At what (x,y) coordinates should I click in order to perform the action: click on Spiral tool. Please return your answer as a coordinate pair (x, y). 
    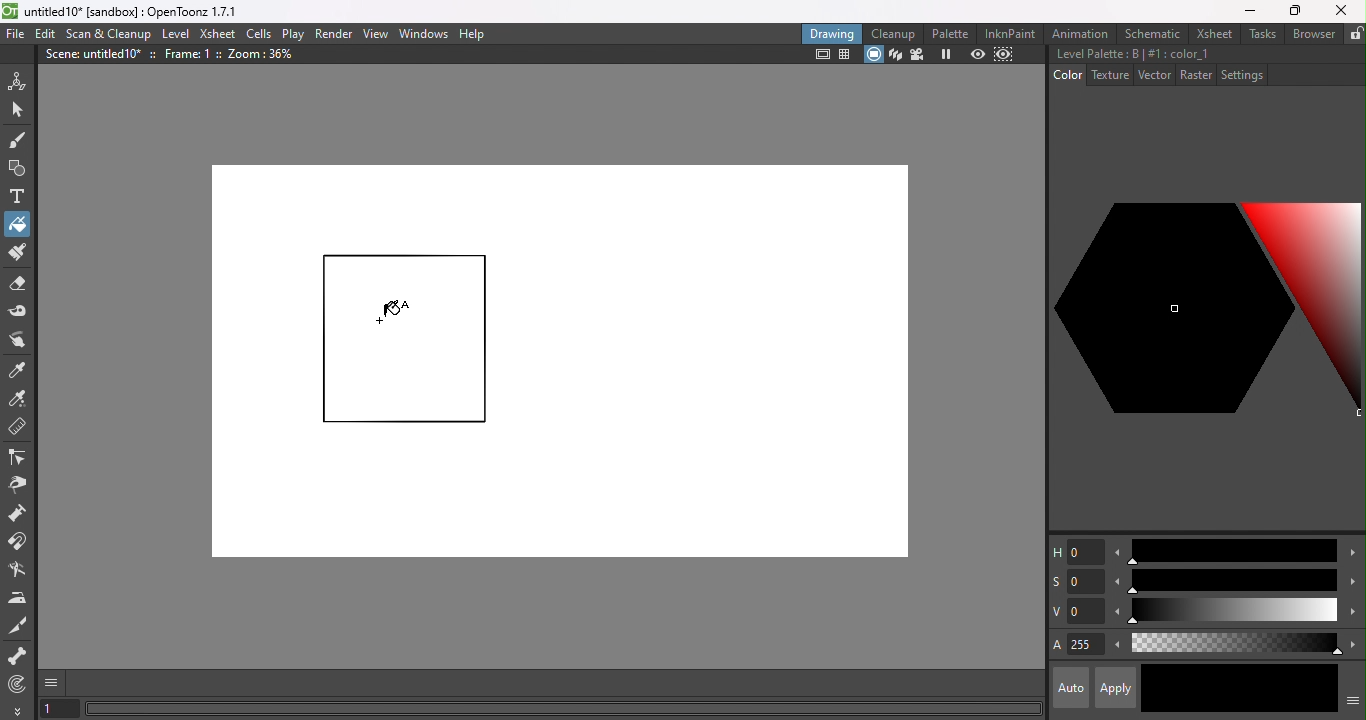
    Looking at the image, I should click on (22, 683).